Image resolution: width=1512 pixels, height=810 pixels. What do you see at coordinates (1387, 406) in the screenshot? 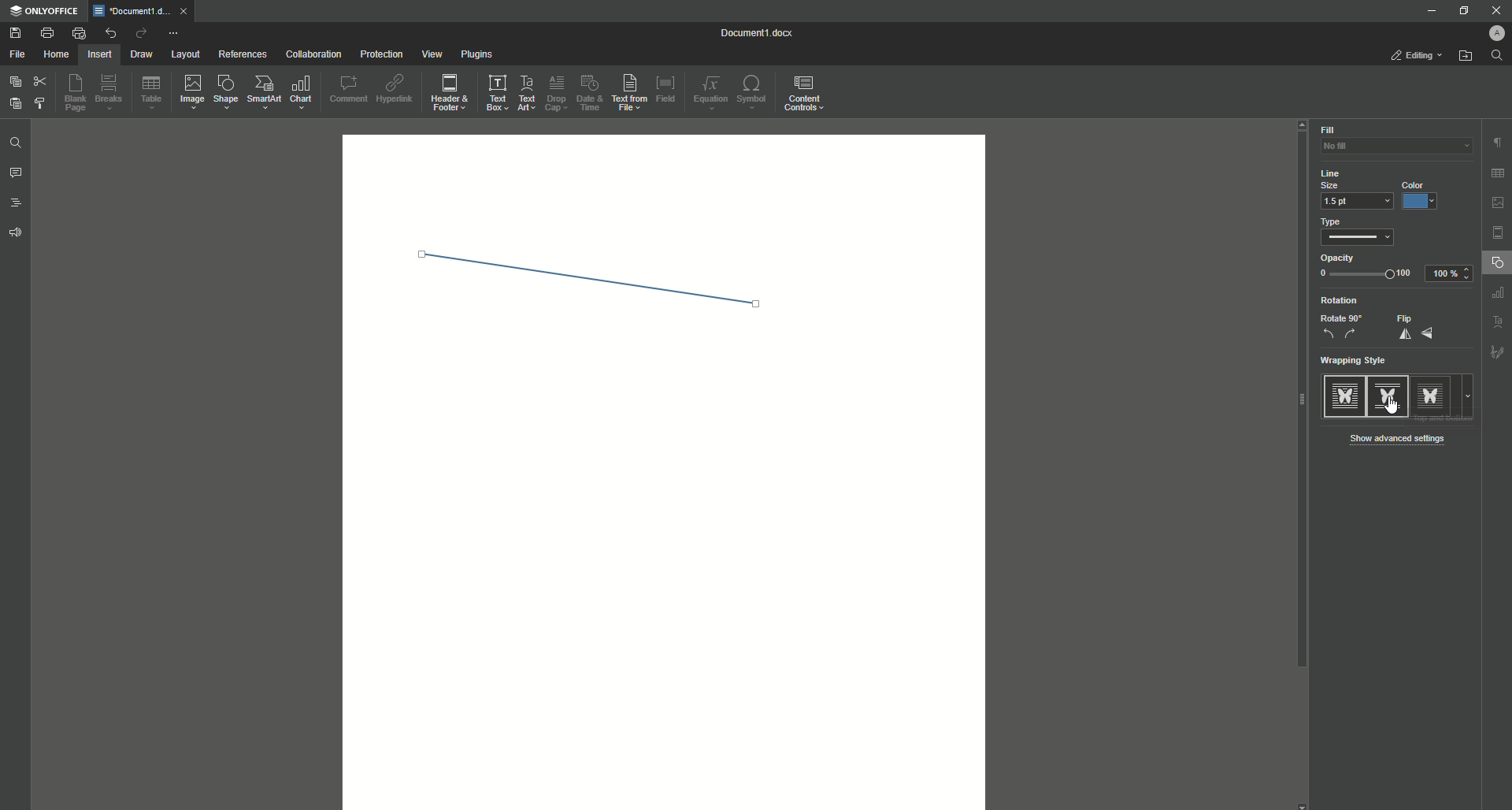
I see `Cursor` at bounding box center [1387, 406].